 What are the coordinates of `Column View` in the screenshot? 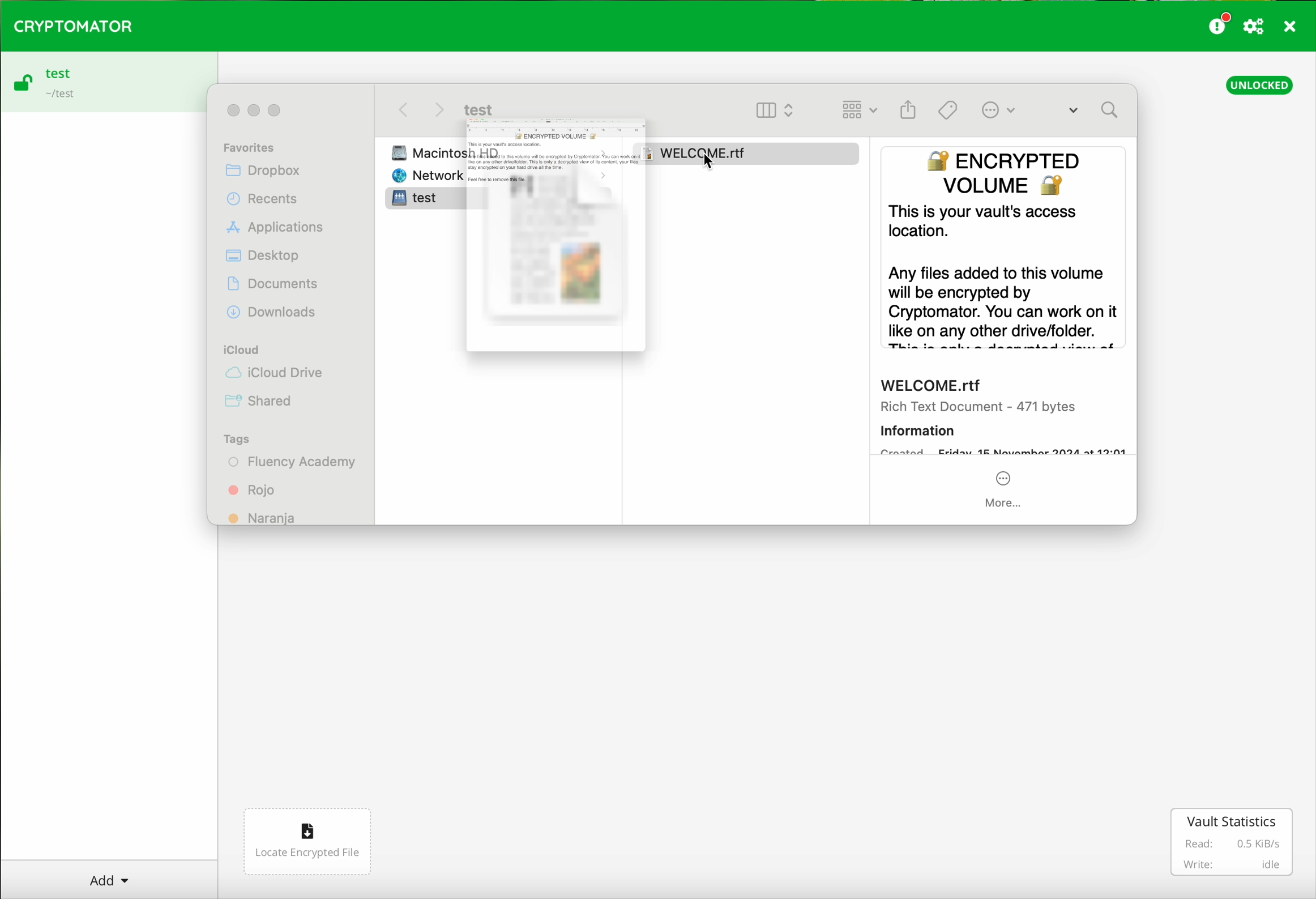 It's located at (775, 109).